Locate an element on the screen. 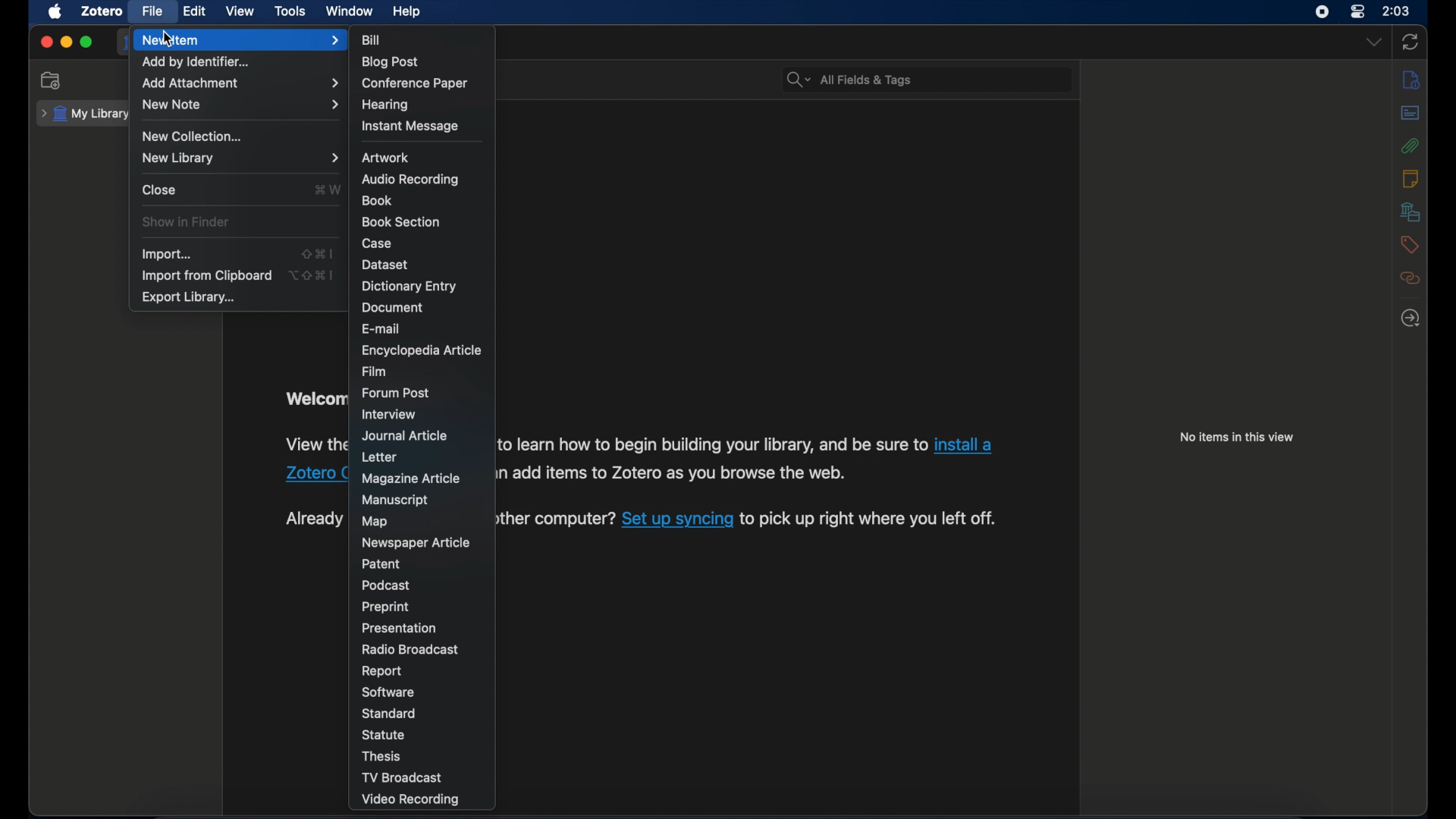 The image size is (1456, 819). artwork is located at coordinates (386, 158).